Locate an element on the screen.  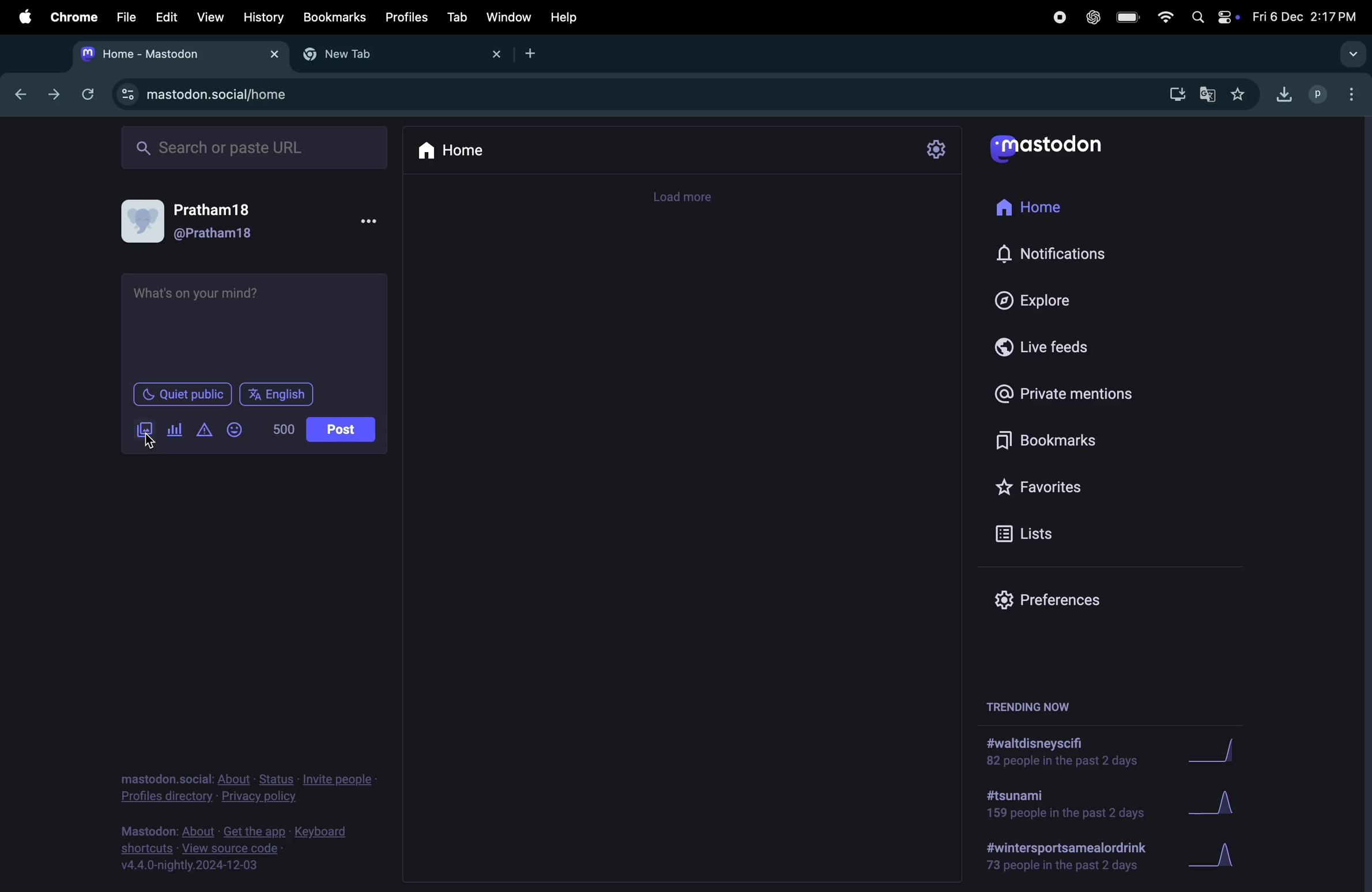
cursor is located at coordinates (157, 445).